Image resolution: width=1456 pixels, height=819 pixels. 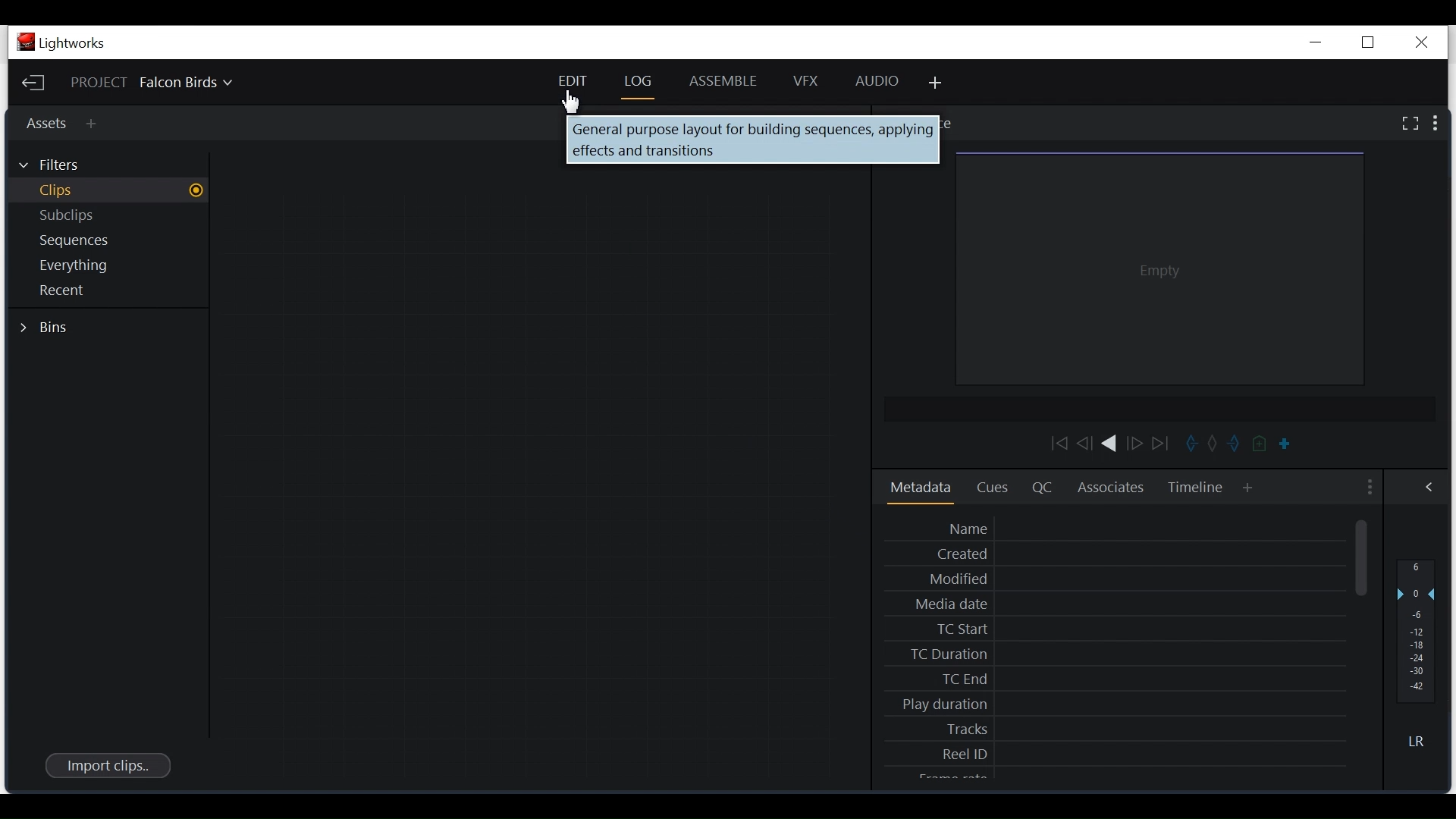 I want to click on Forward, so click(x=1136, y=447).